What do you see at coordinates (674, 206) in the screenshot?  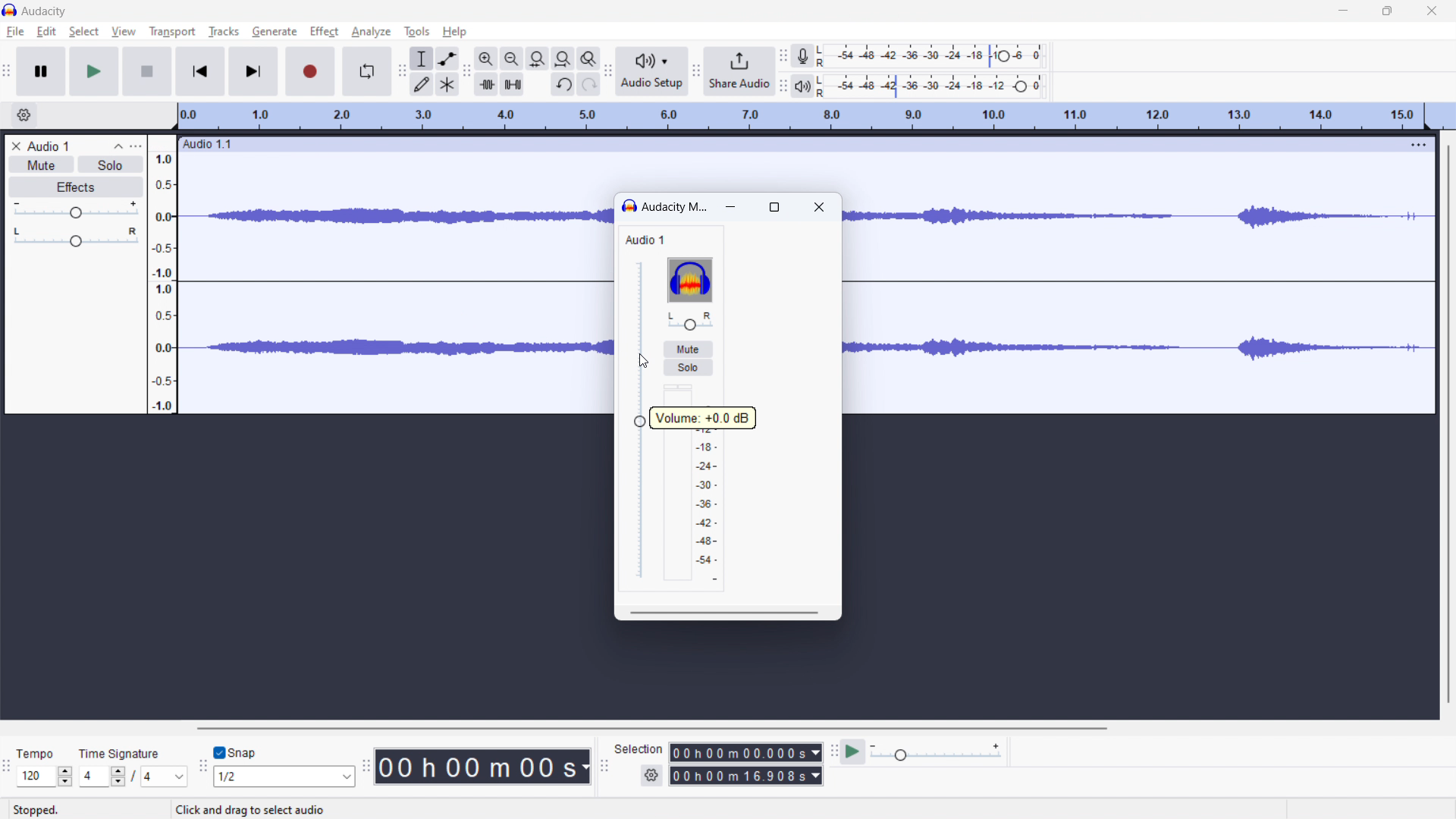 I see `mixer dialogbox` at bounding box center [674, 206].